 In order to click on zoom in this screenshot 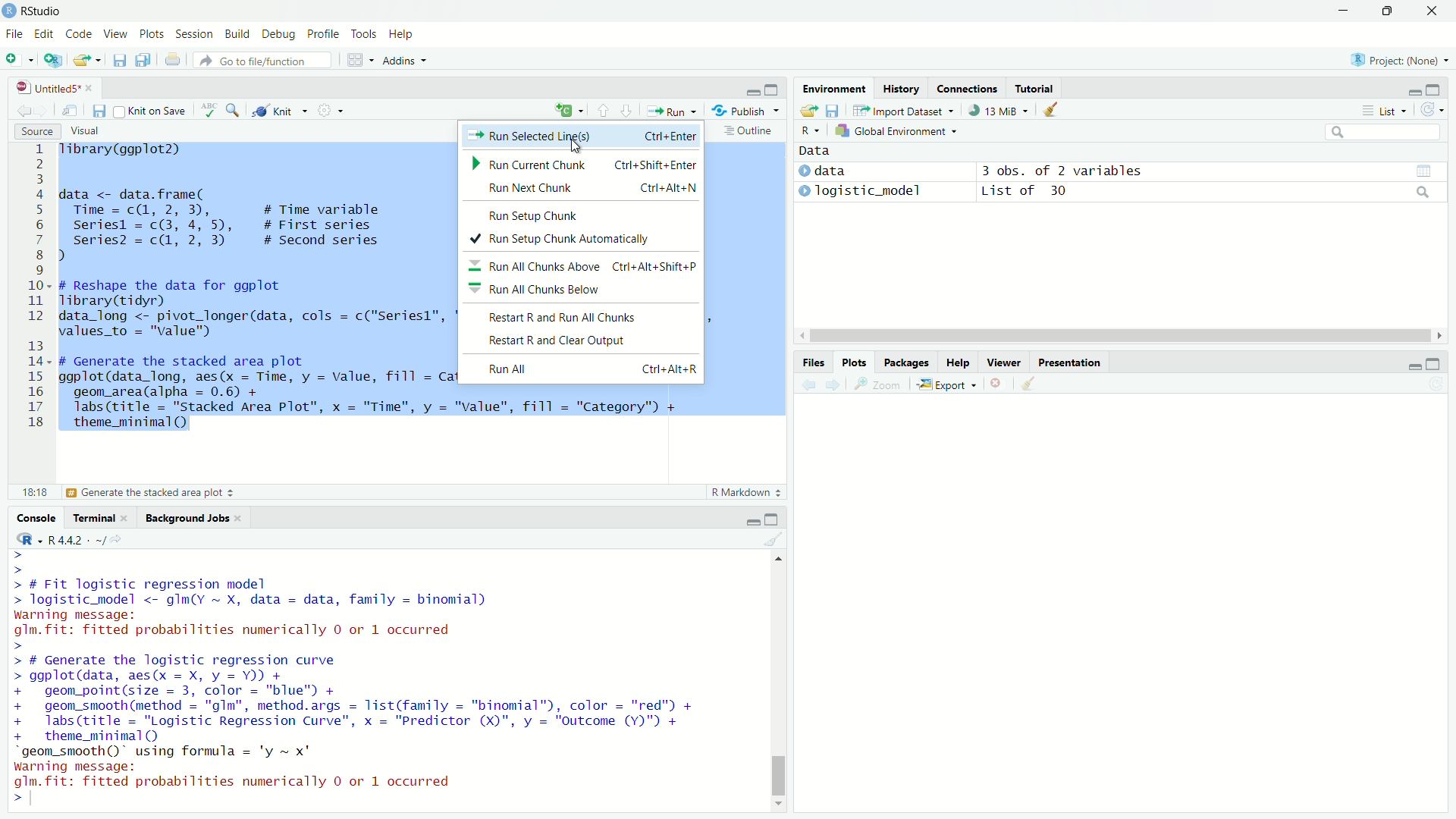, I will do `click(236, 111)`.